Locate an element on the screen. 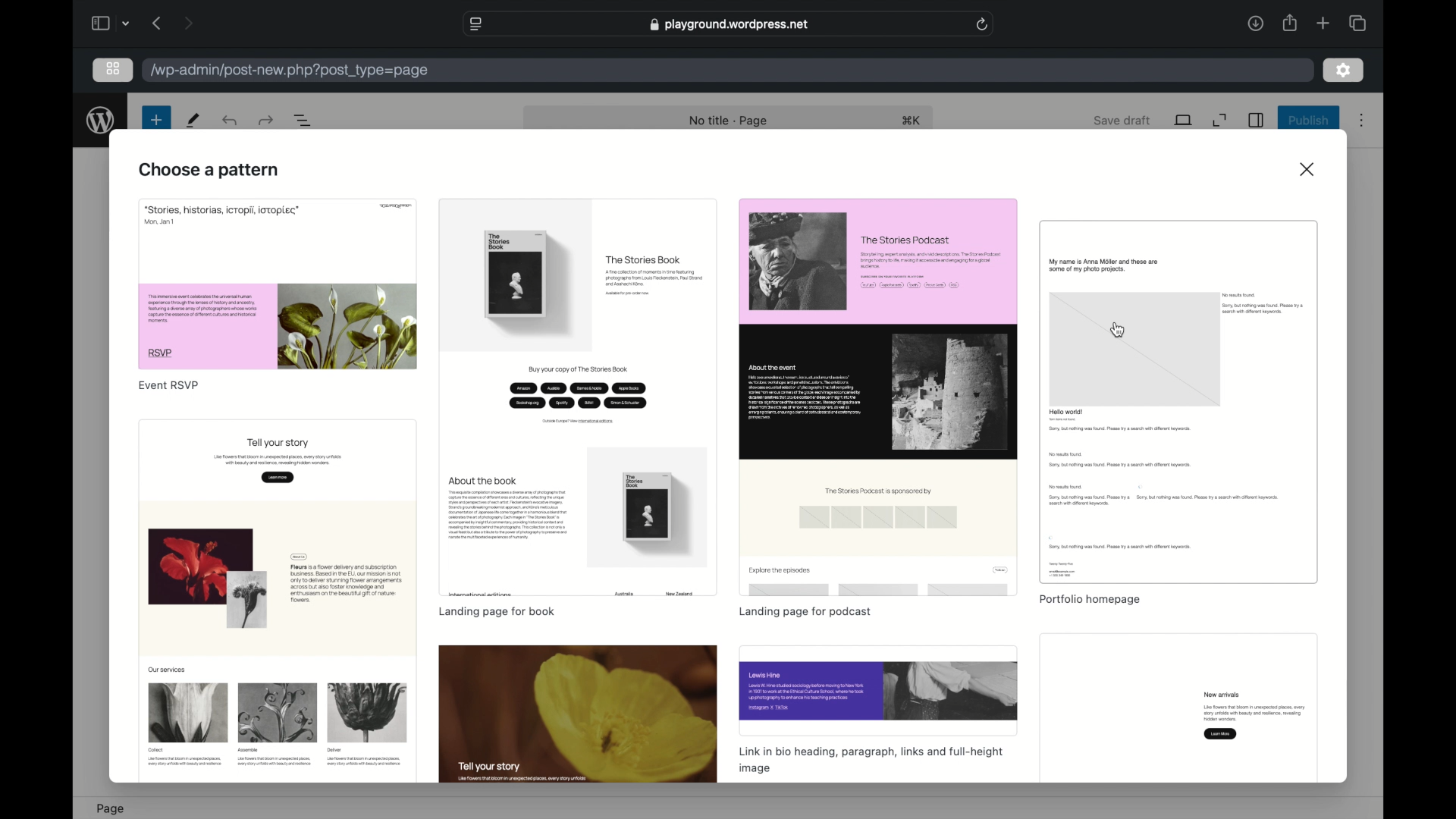 The width and height of the screenshot is (1456, 819). dropdown is located at coordinates (127, 24).